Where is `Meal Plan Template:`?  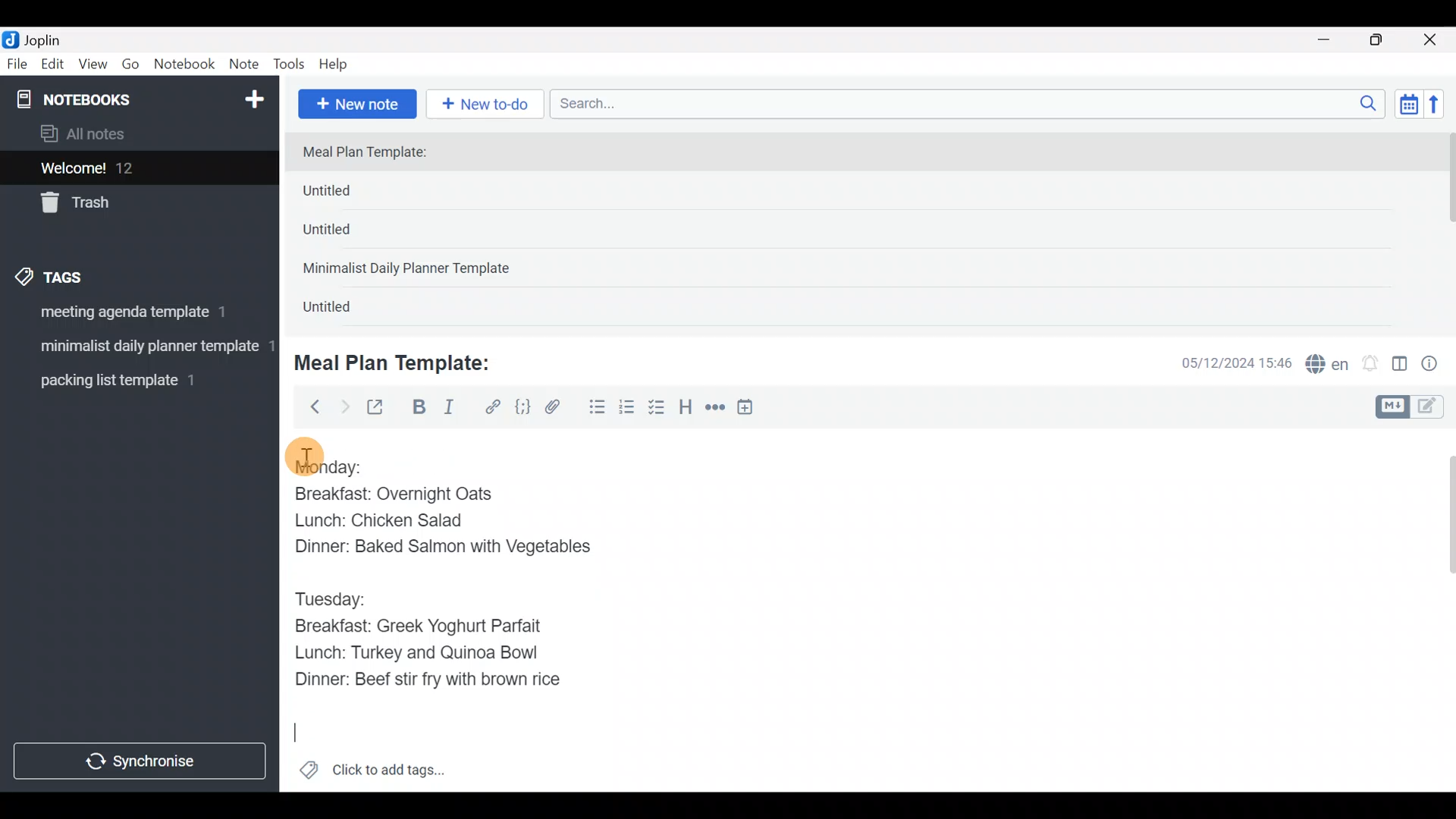
Meal Plan Template: is located at coordinates (402, 361).